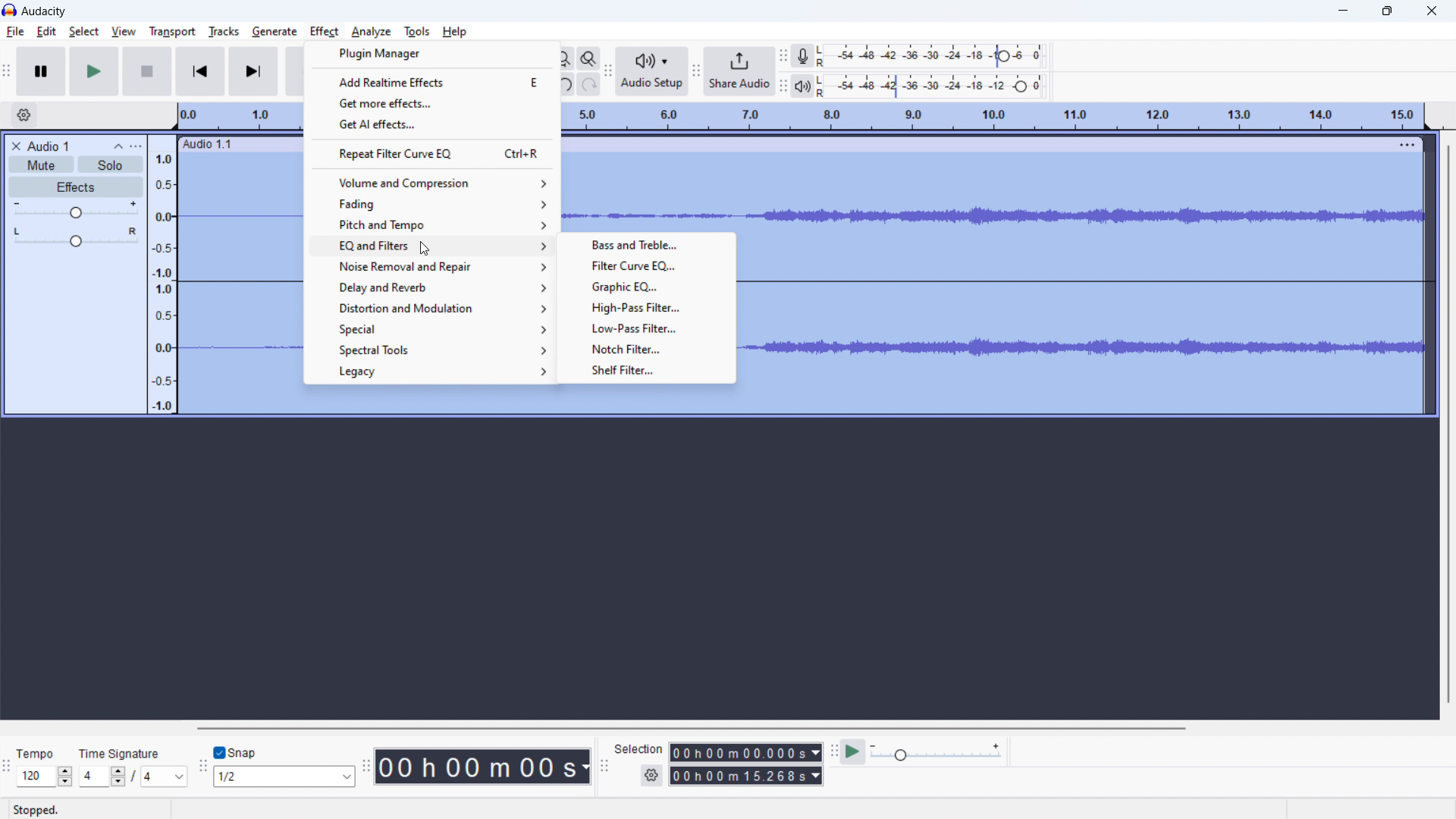  Describe the element at coordinates (647, 349) in the screenshot. I see `notch filter` at that location.